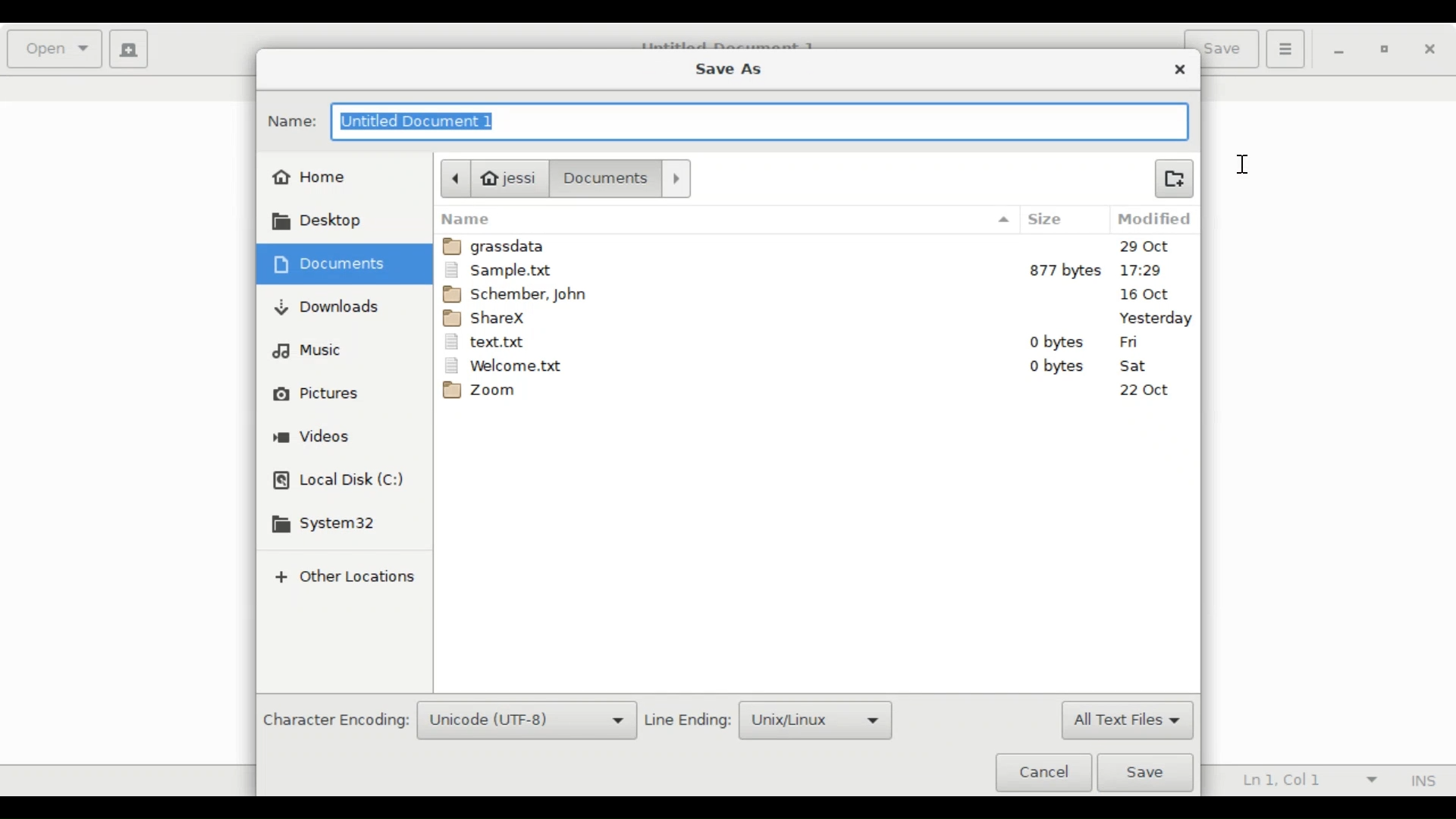  What do you see at coordinates (311, 175) in the screenshot?
I see `Home` at bounding box center [311, 175].